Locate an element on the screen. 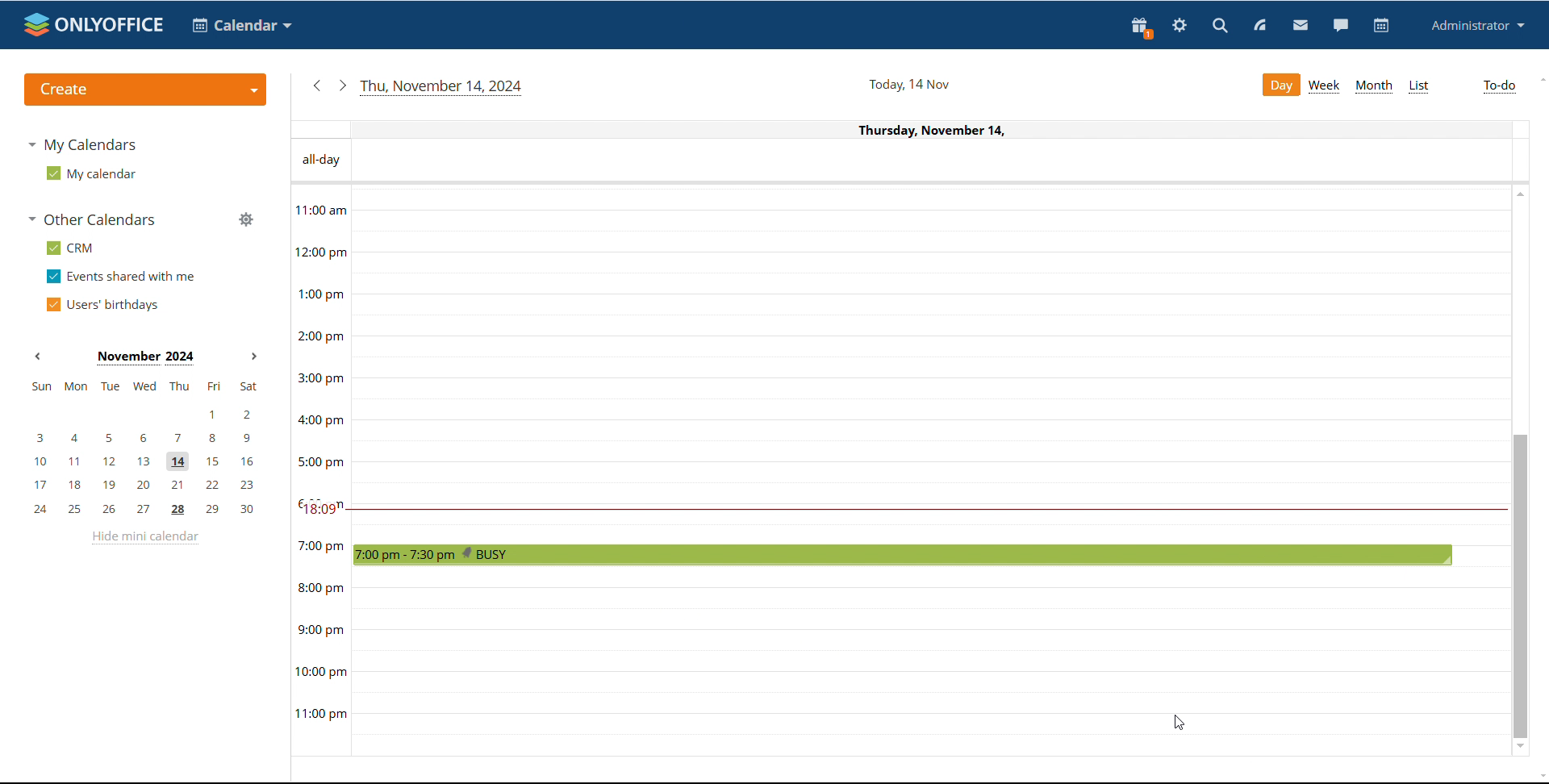 Image resolution: width=1549 pixels, height=784 pixels. current month is located at coordinates (145, 358).